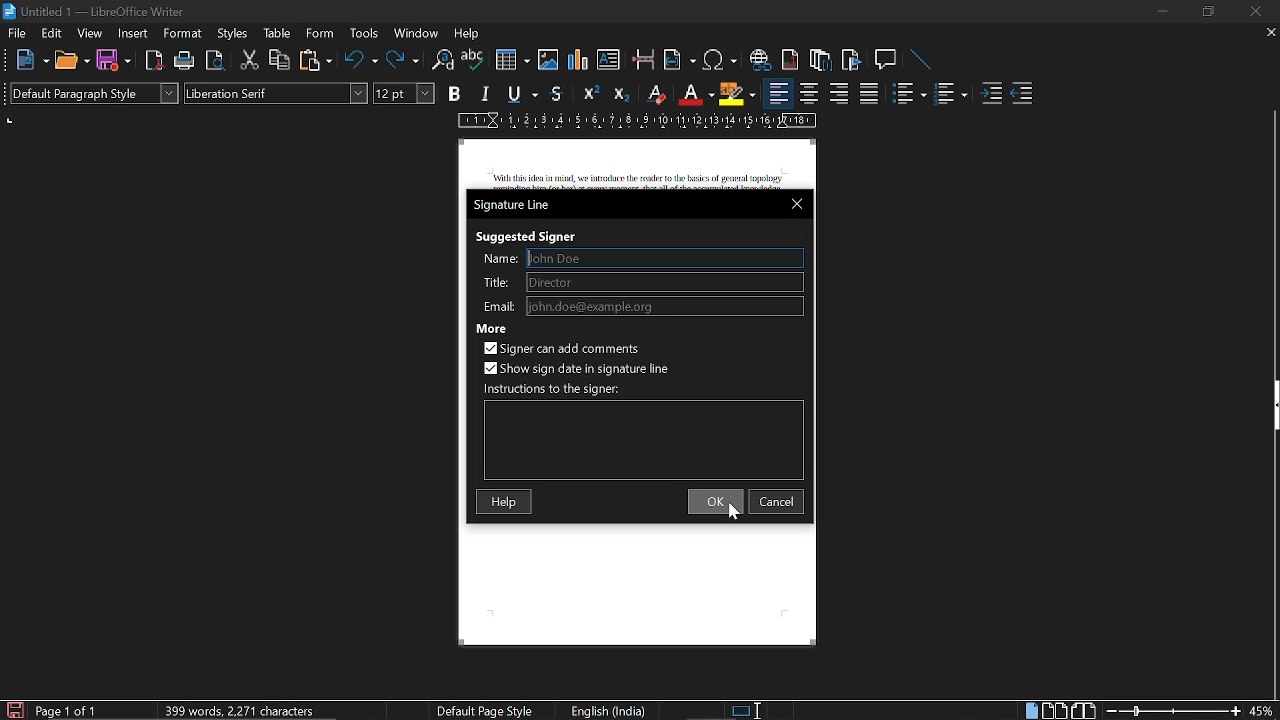 This screenshot has height=720, width=1280. I want to click on close, so click(797, 204).